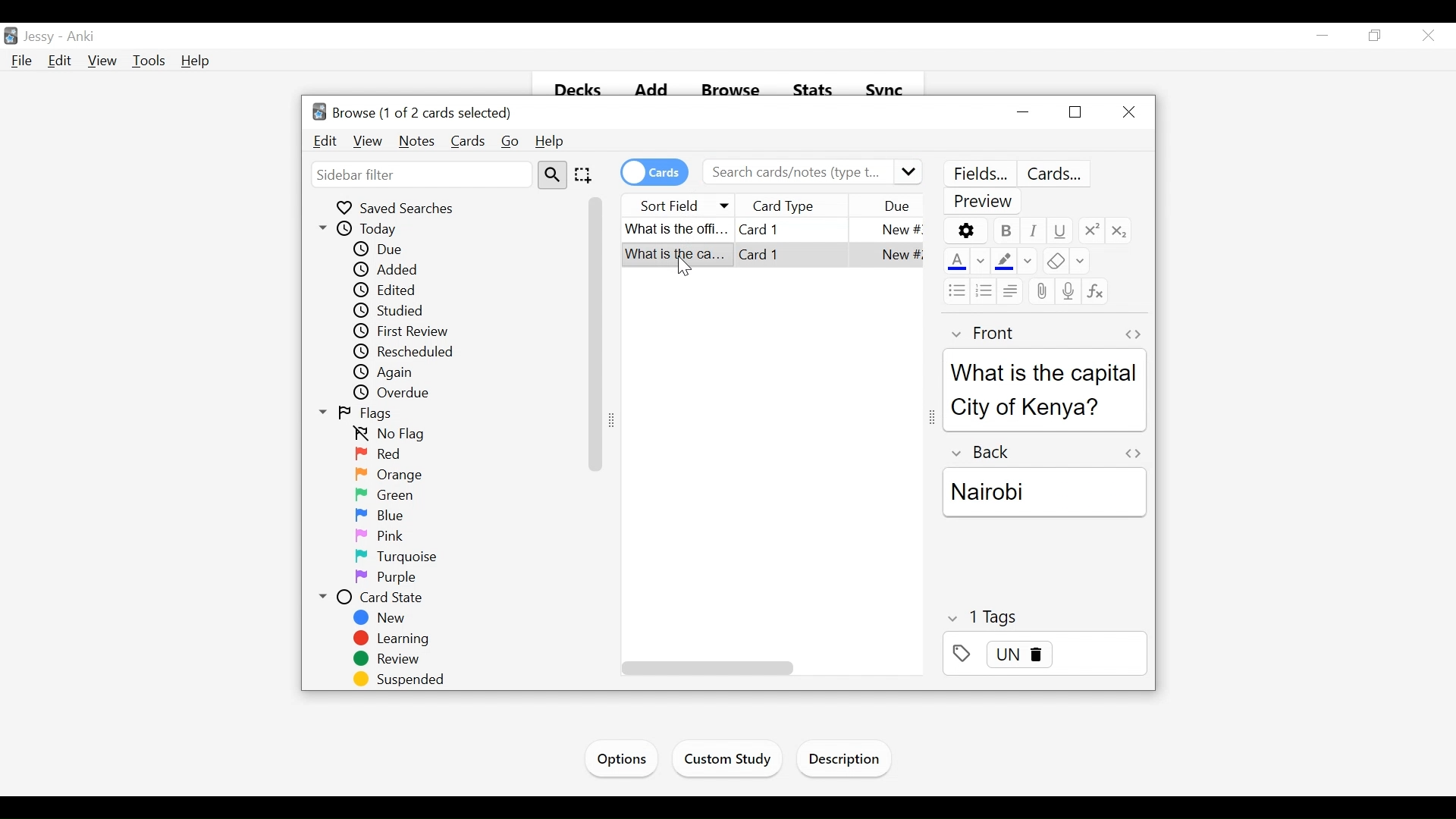  I want to click on Turquoise, so click(403, 557).